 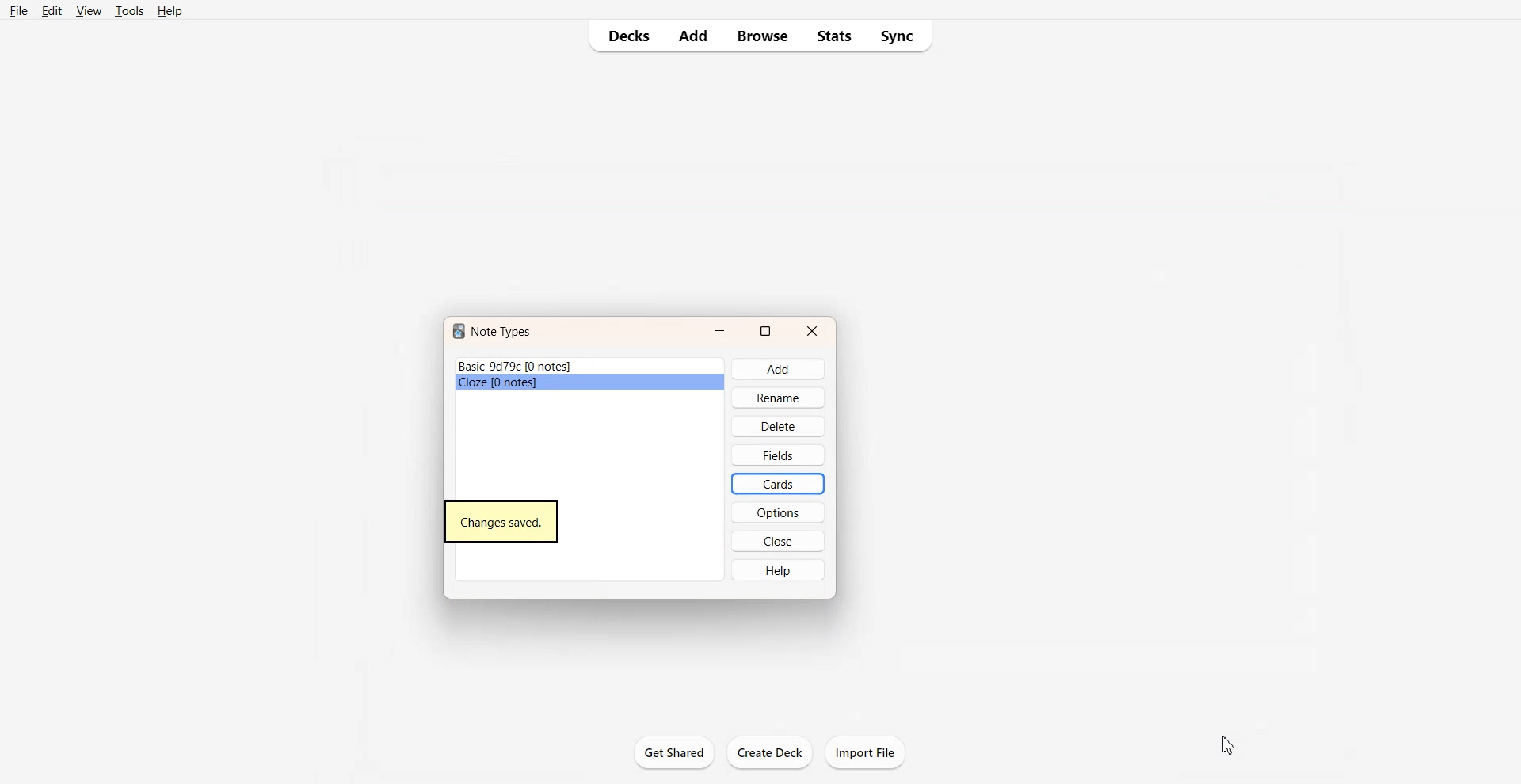 What do you see at coordinates (766, 332) in the screenshot?
I see `maximize` at bounding box center [766, 332].